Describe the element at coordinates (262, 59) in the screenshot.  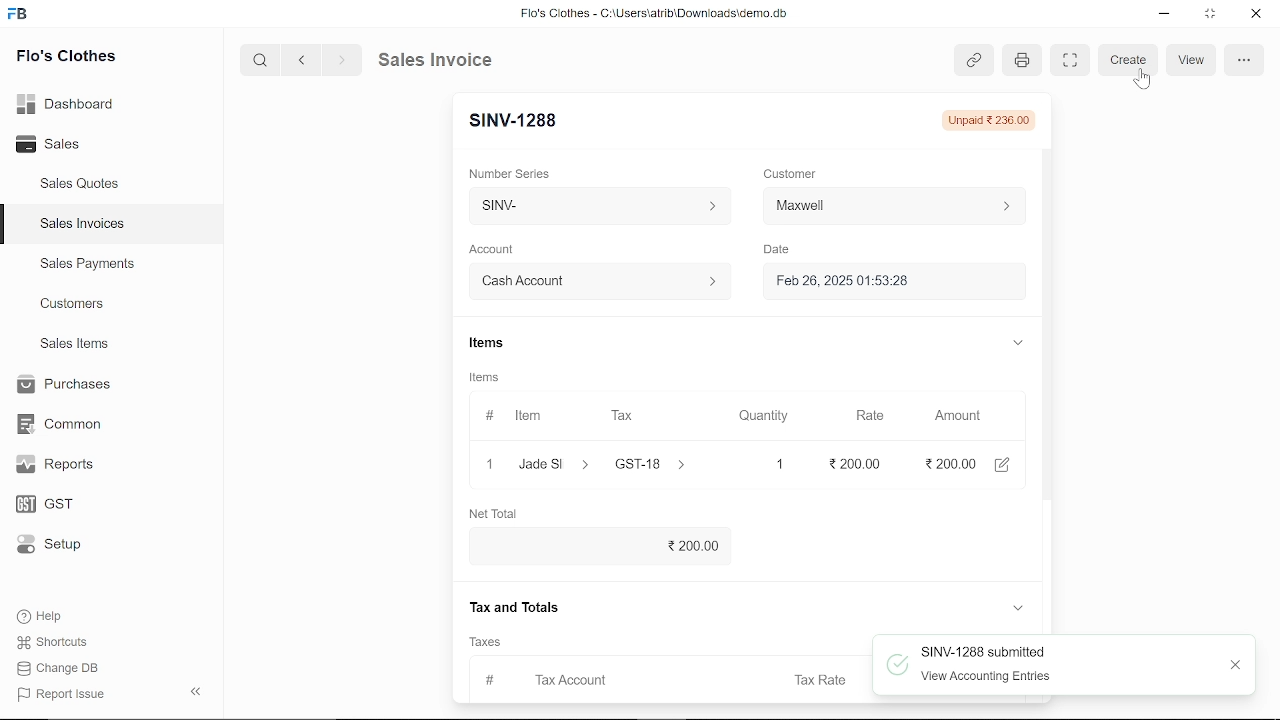
I see `search` at that location.